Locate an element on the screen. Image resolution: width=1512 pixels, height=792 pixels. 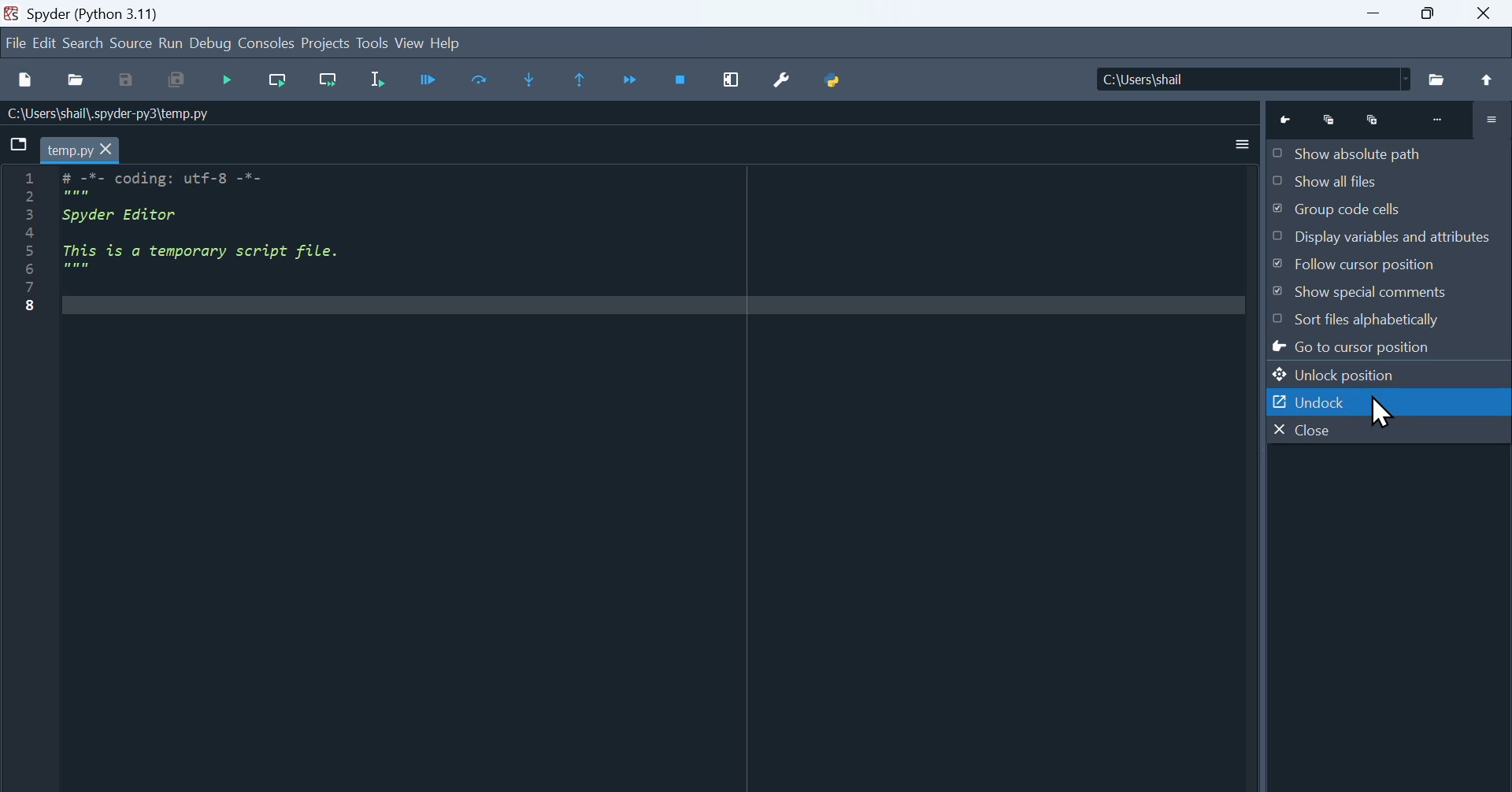
Projects is located at coordinates (326, 41).